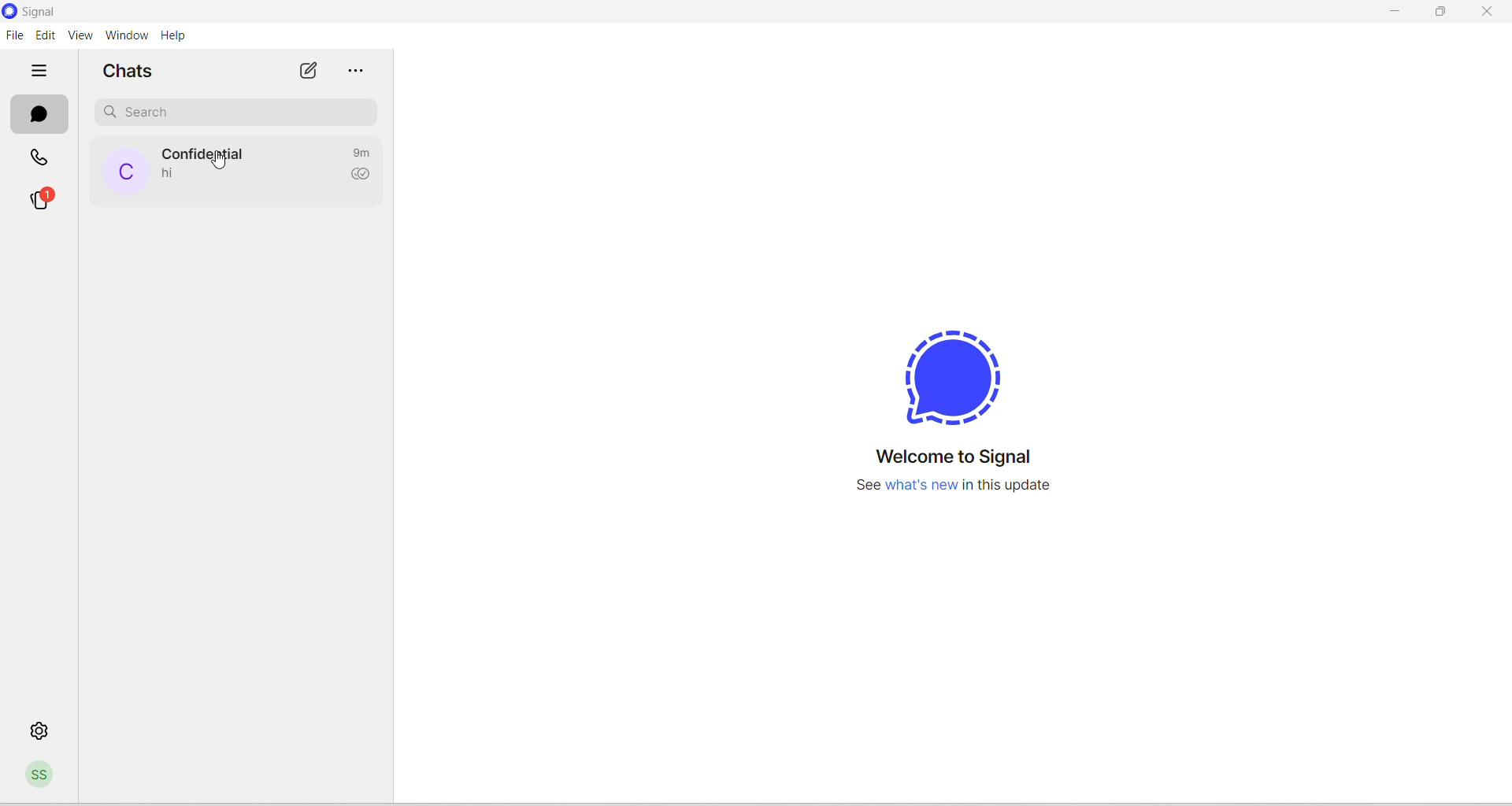  I want to click on profile picture, so click(124, 172).